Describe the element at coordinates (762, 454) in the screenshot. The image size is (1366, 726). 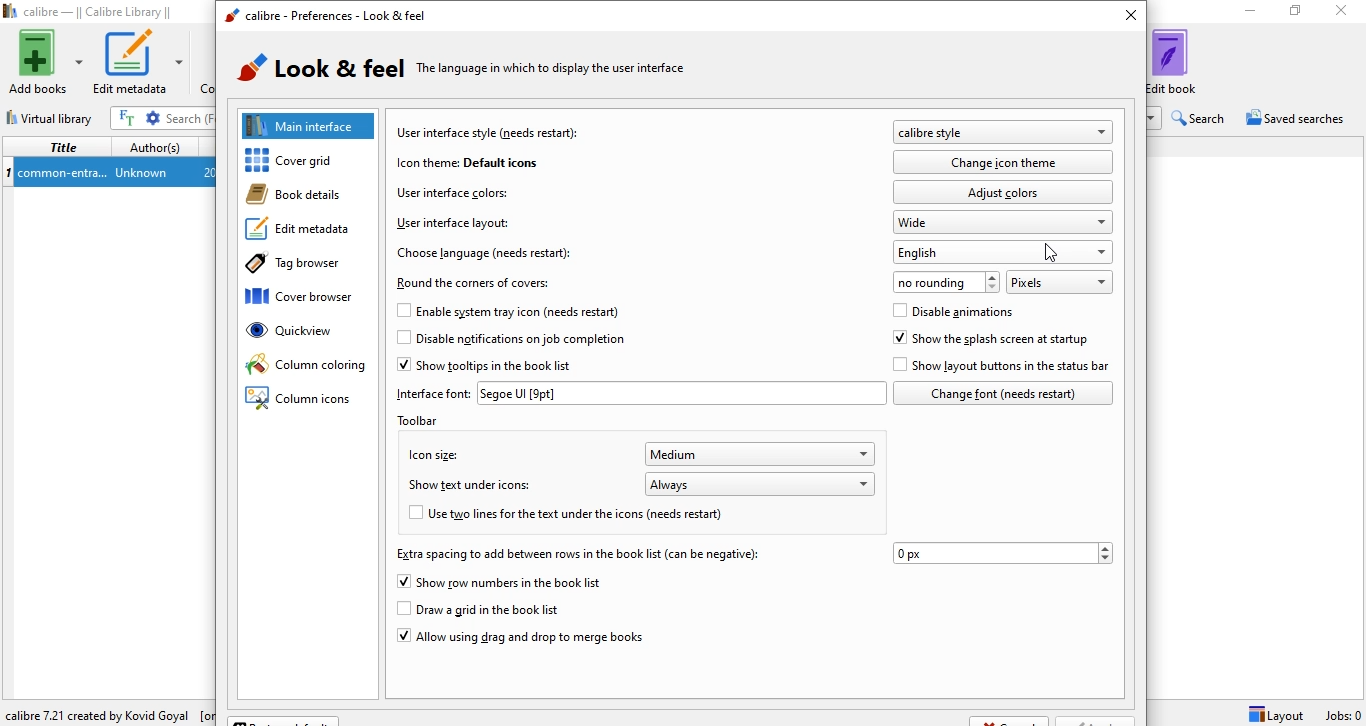
I see `medium` at that location.